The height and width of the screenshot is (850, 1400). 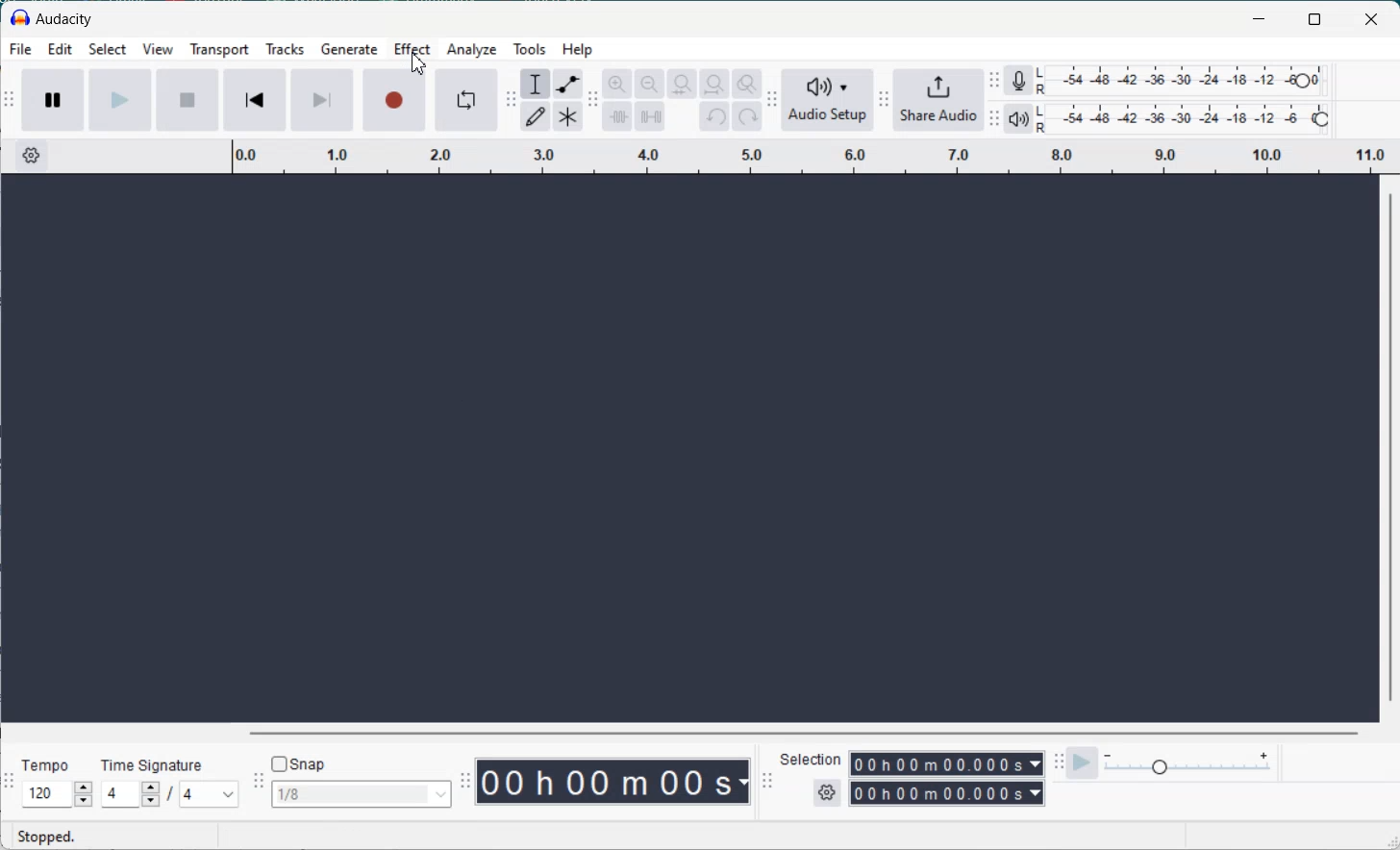 What do you see at coordinates (1390, 448) in the screenshot?
I see `Vertical scroll bar` at bounding box center [1390, 448].